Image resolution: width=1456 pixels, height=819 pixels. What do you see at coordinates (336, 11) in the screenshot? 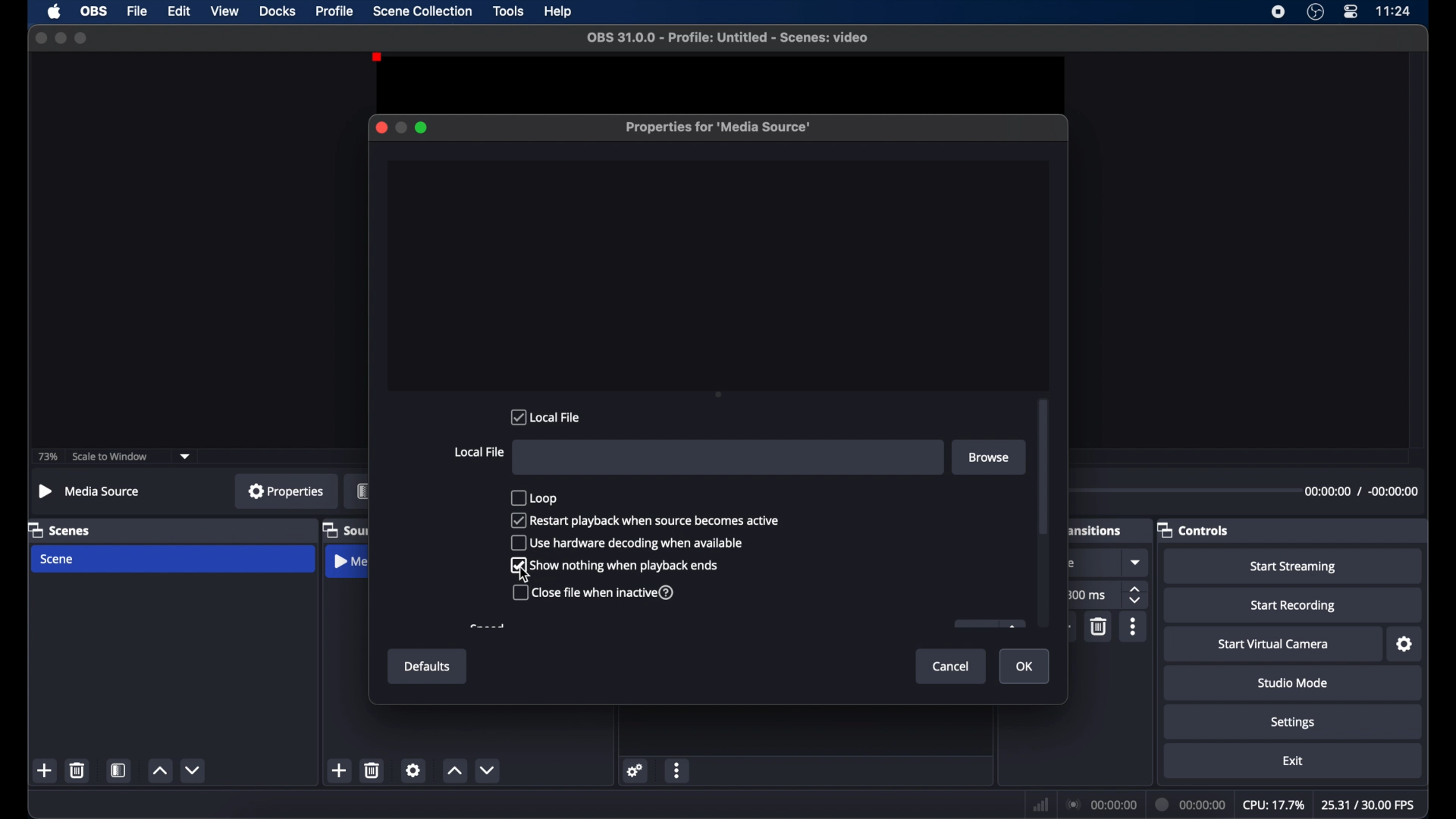
I see `profile` at bounding box center [336, 11].